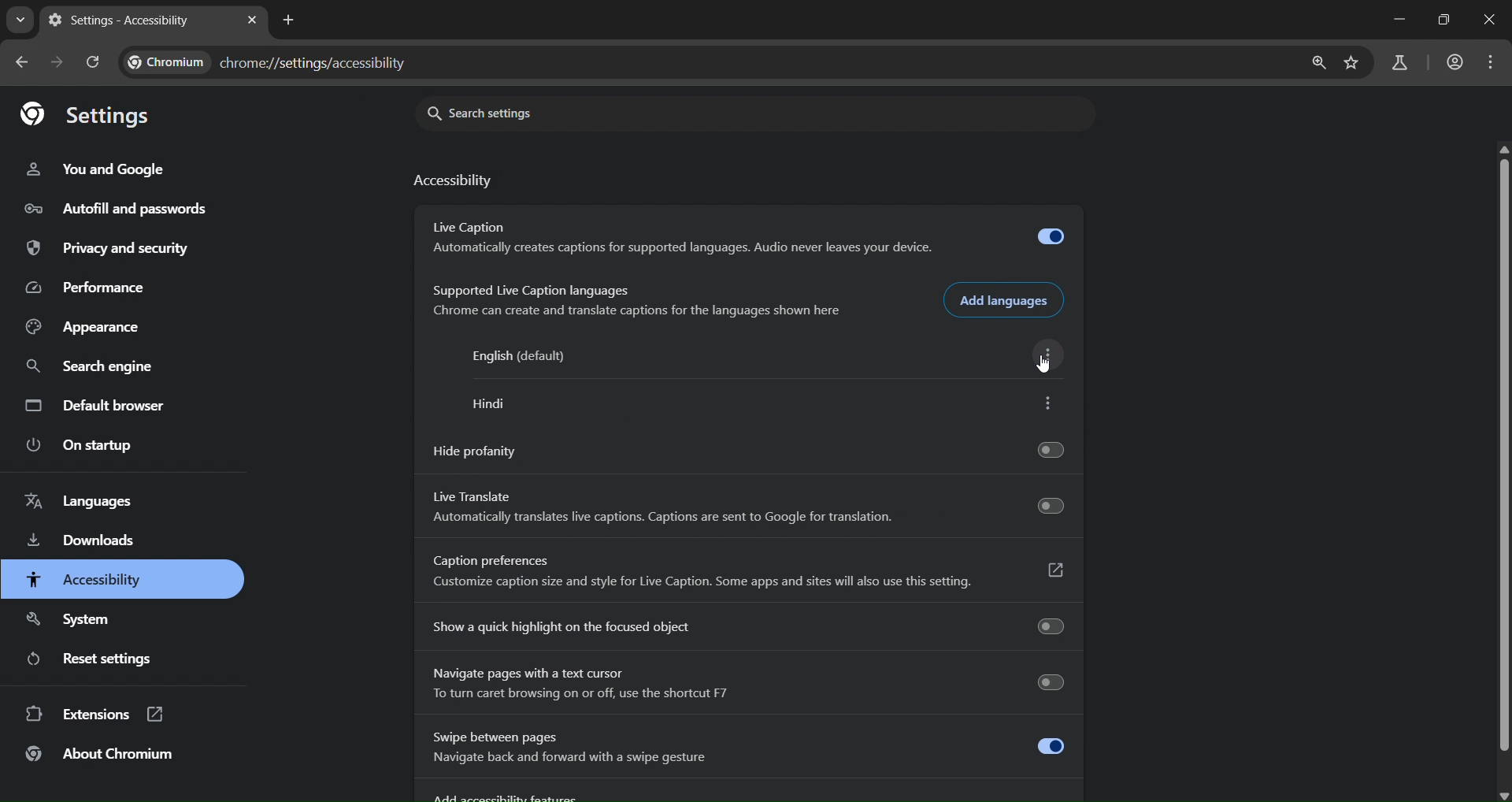 This screenshot has height=802, width=1512. Describe the element at coordinates (132, 20) in the screenshot. I see `settings - accessibility` at that location.